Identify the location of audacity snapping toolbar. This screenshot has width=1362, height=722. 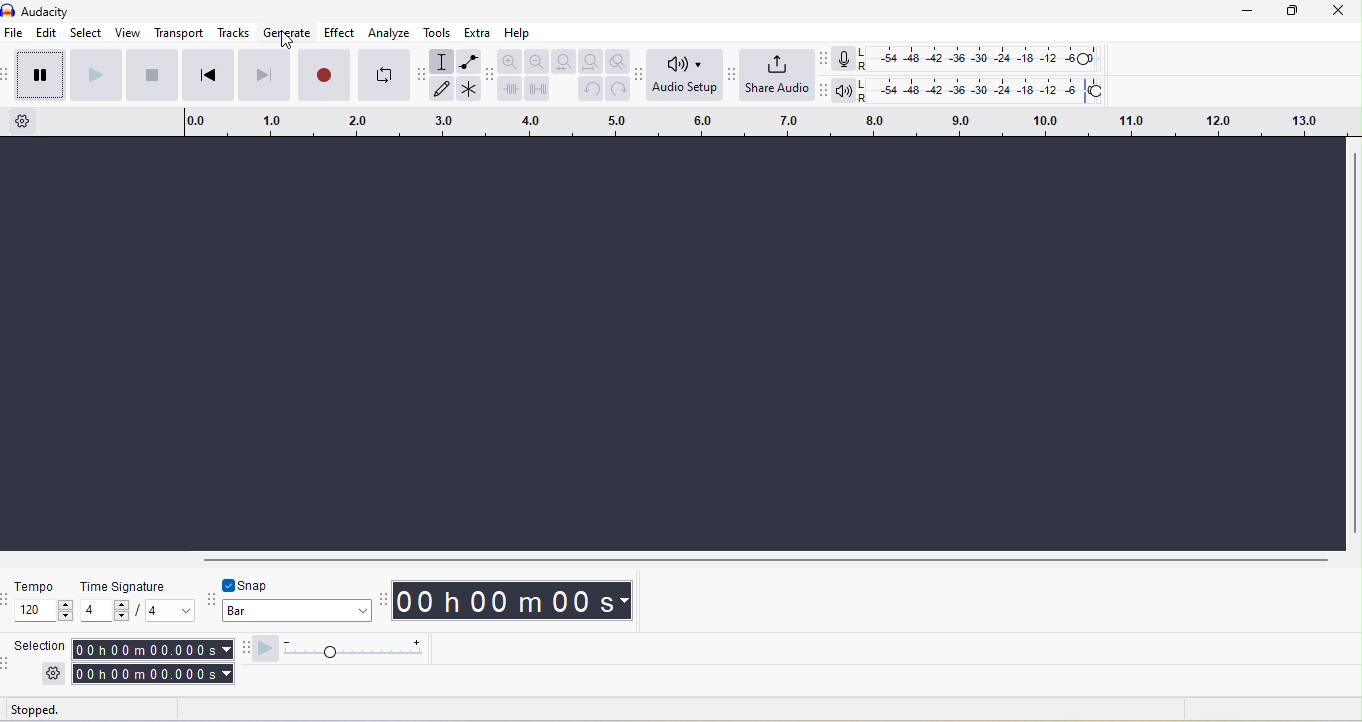
(213, 597).